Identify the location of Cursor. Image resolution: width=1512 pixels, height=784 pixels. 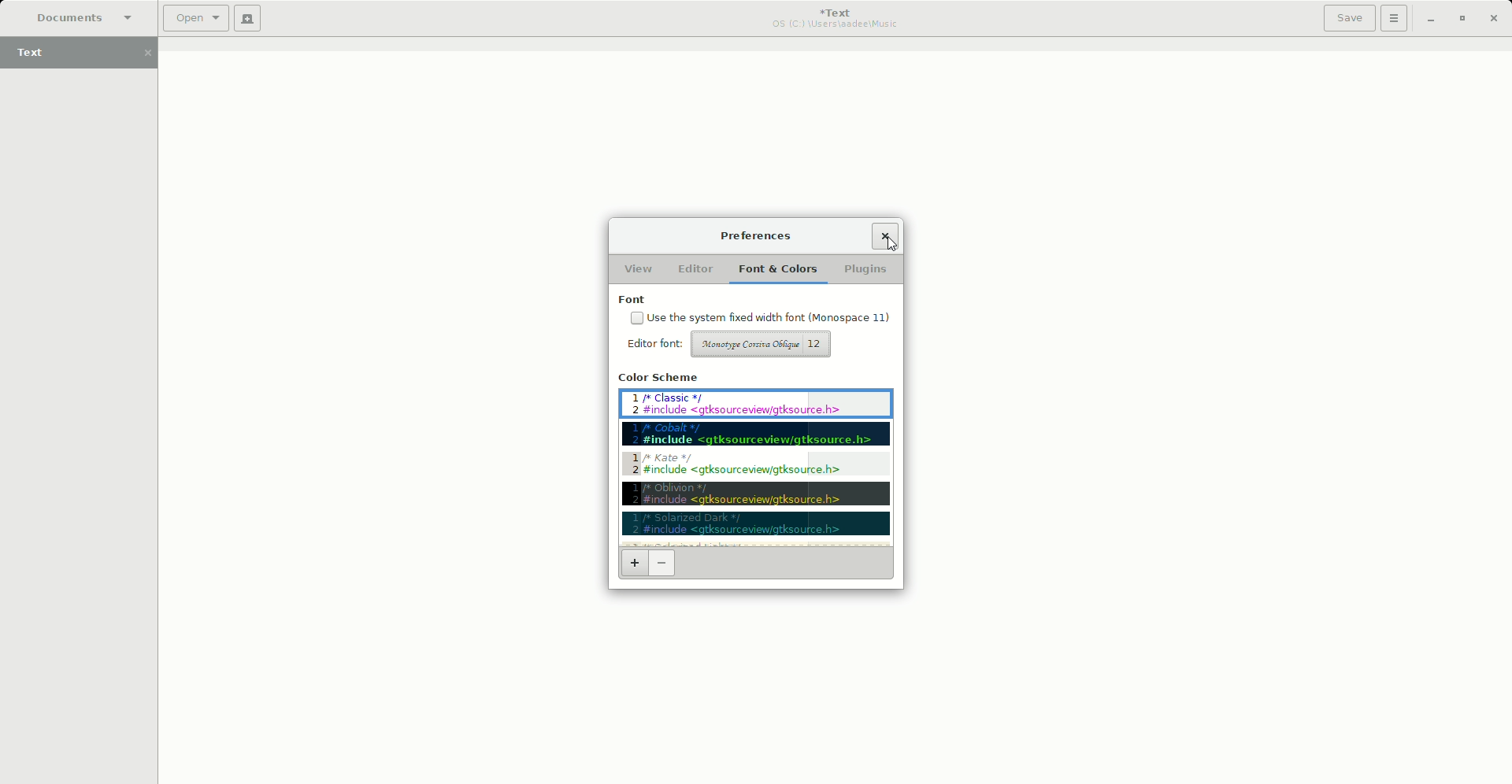
(890, 245).